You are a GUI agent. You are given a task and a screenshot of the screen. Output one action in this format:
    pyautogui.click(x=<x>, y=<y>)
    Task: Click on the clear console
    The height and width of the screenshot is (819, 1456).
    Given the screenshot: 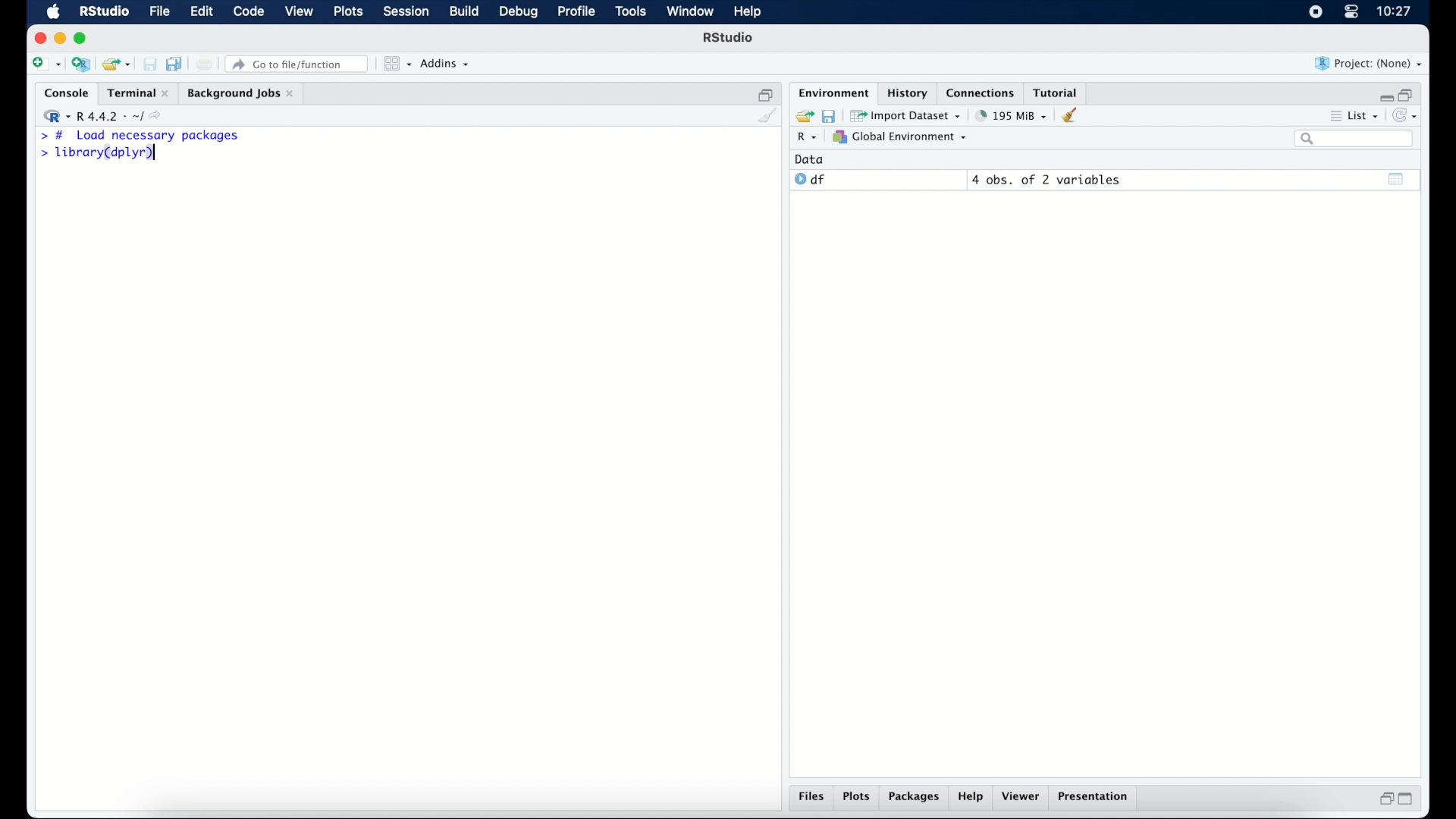 What is the action you would take?
    pyautogui.click(x=766, y=117)
    